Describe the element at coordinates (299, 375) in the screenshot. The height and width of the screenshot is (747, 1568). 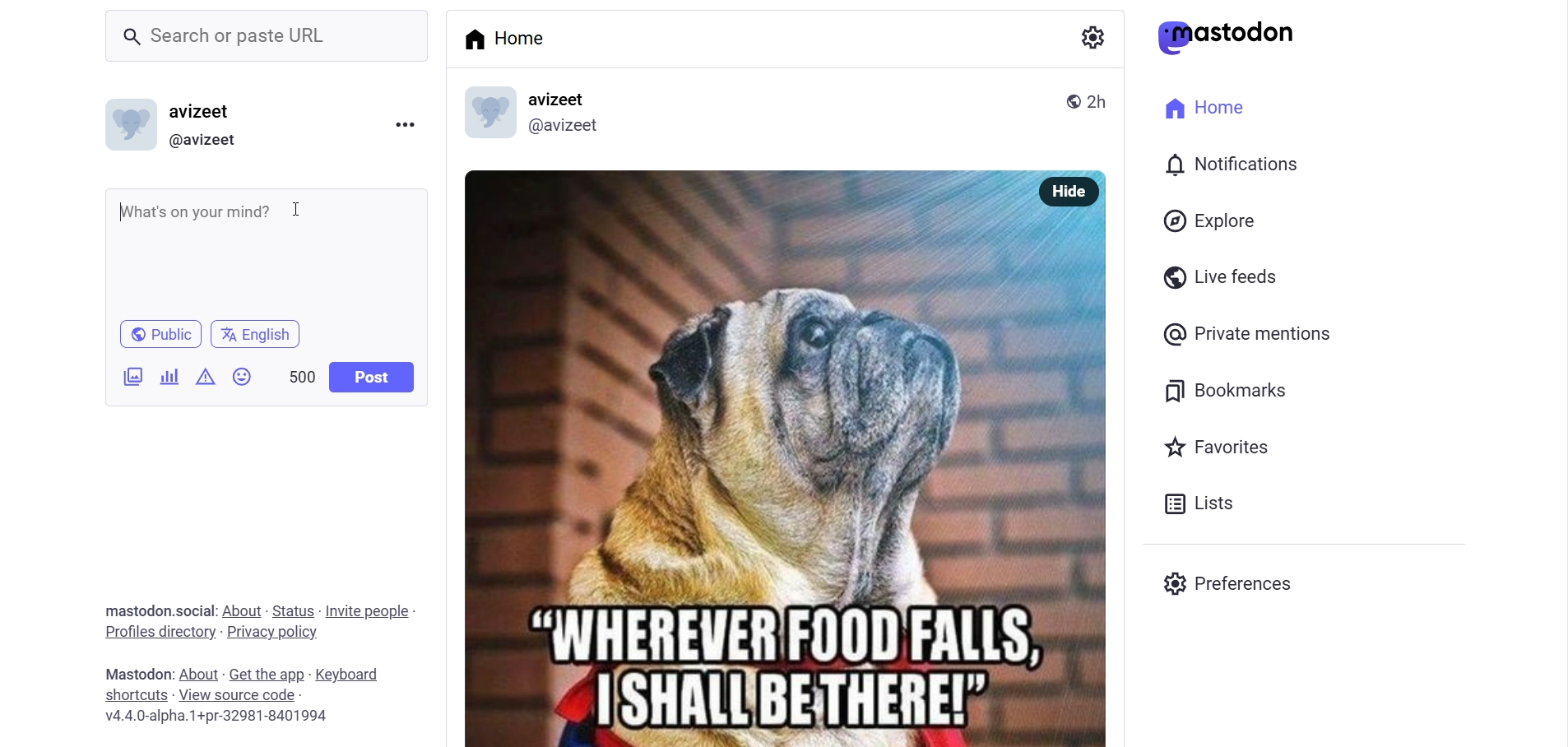
I see `500` at that location.